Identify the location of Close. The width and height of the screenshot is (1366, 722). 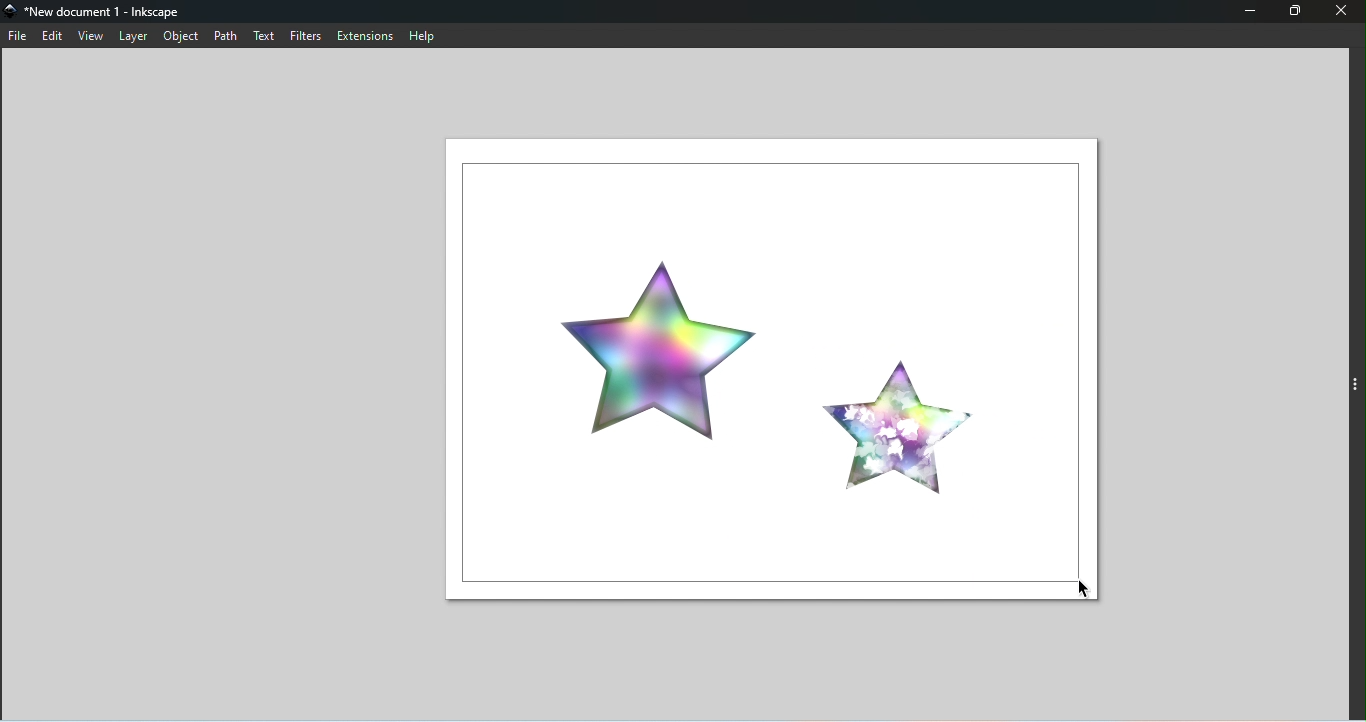
(1342, 12).